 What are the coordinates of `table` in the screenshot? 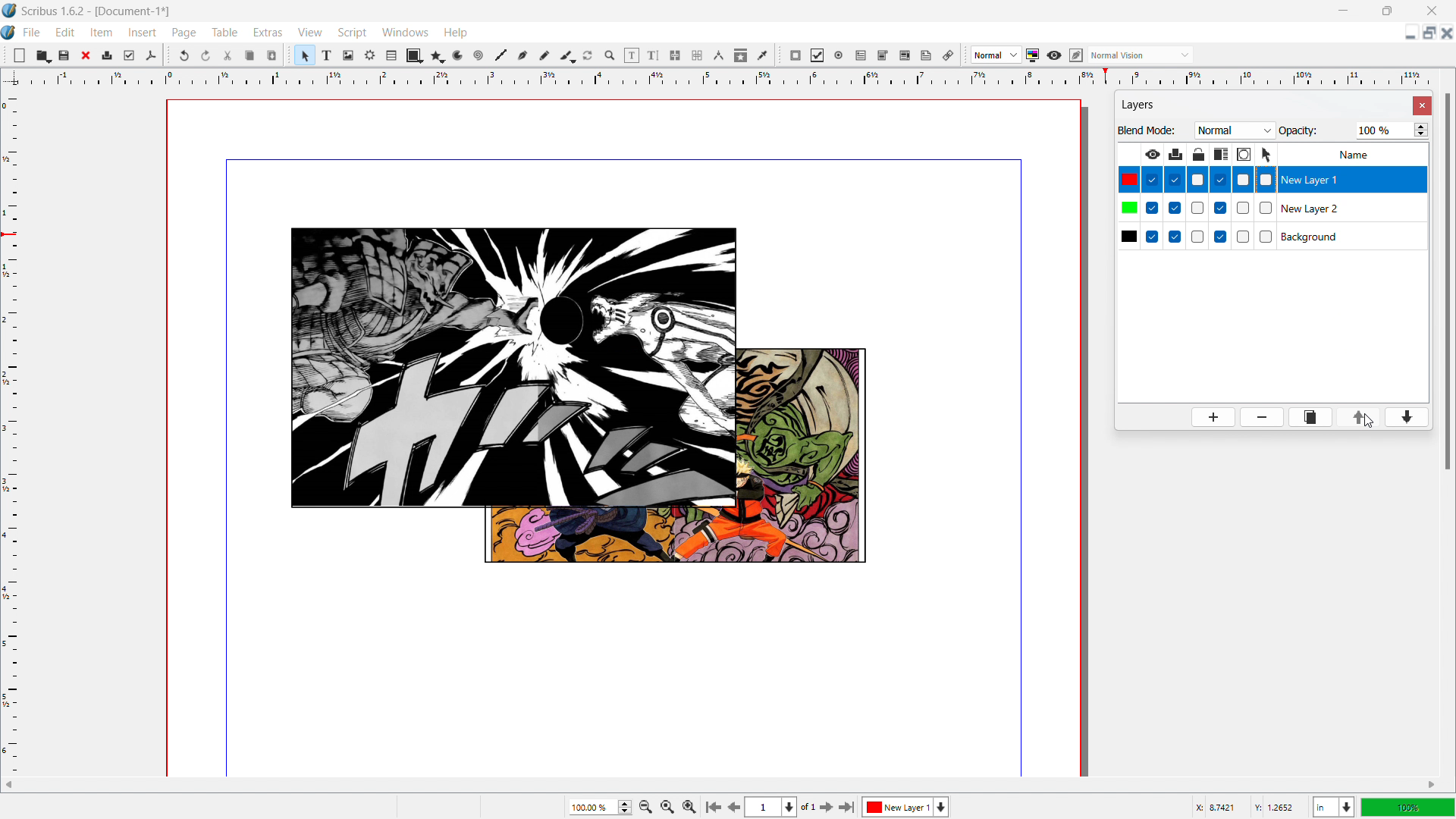 It's located at (391, 55).